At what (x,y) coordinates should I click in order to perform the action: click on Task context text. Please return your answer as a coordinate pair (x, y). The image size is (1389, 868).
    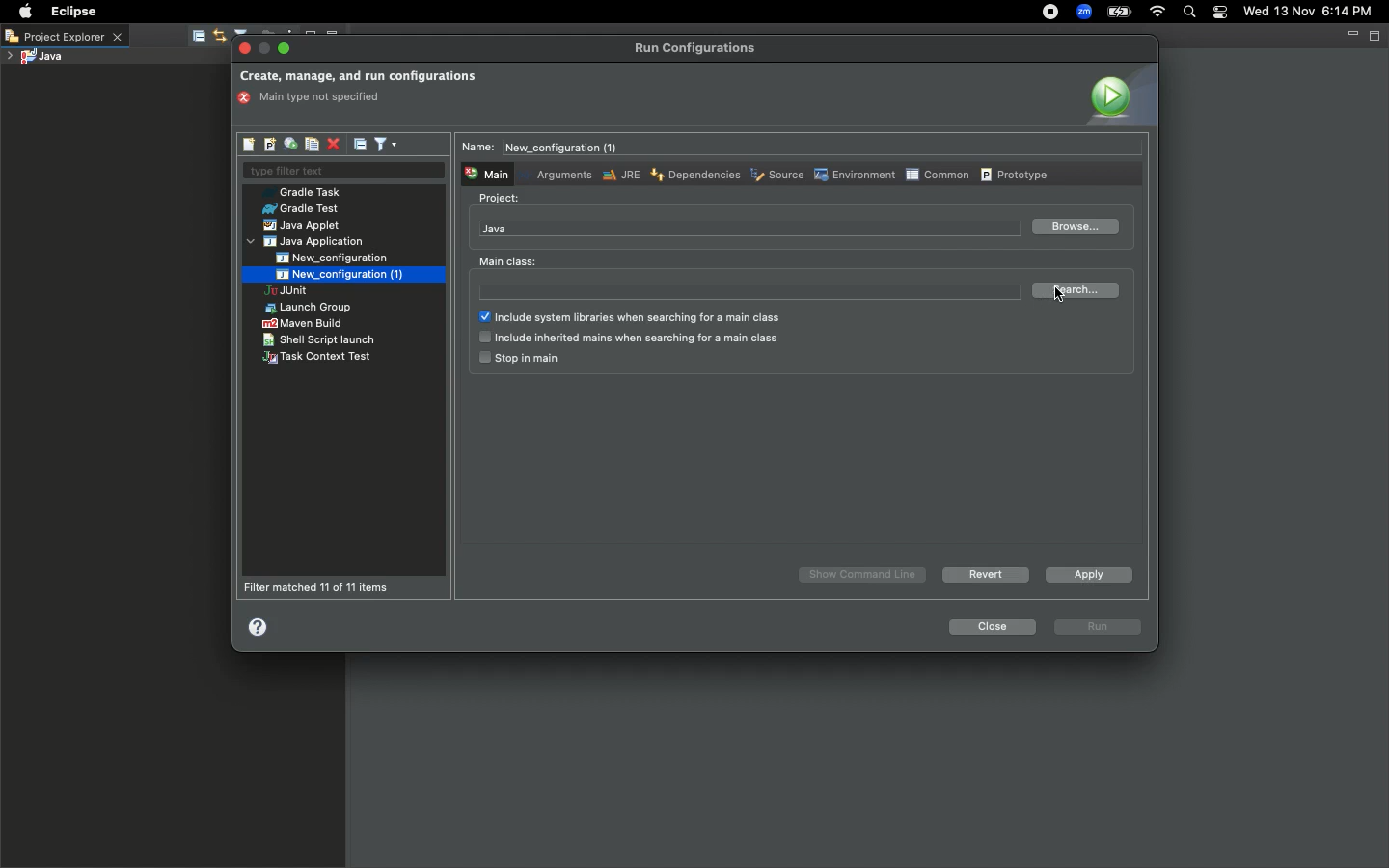
    Looking at the image, I should click on (319, 358).